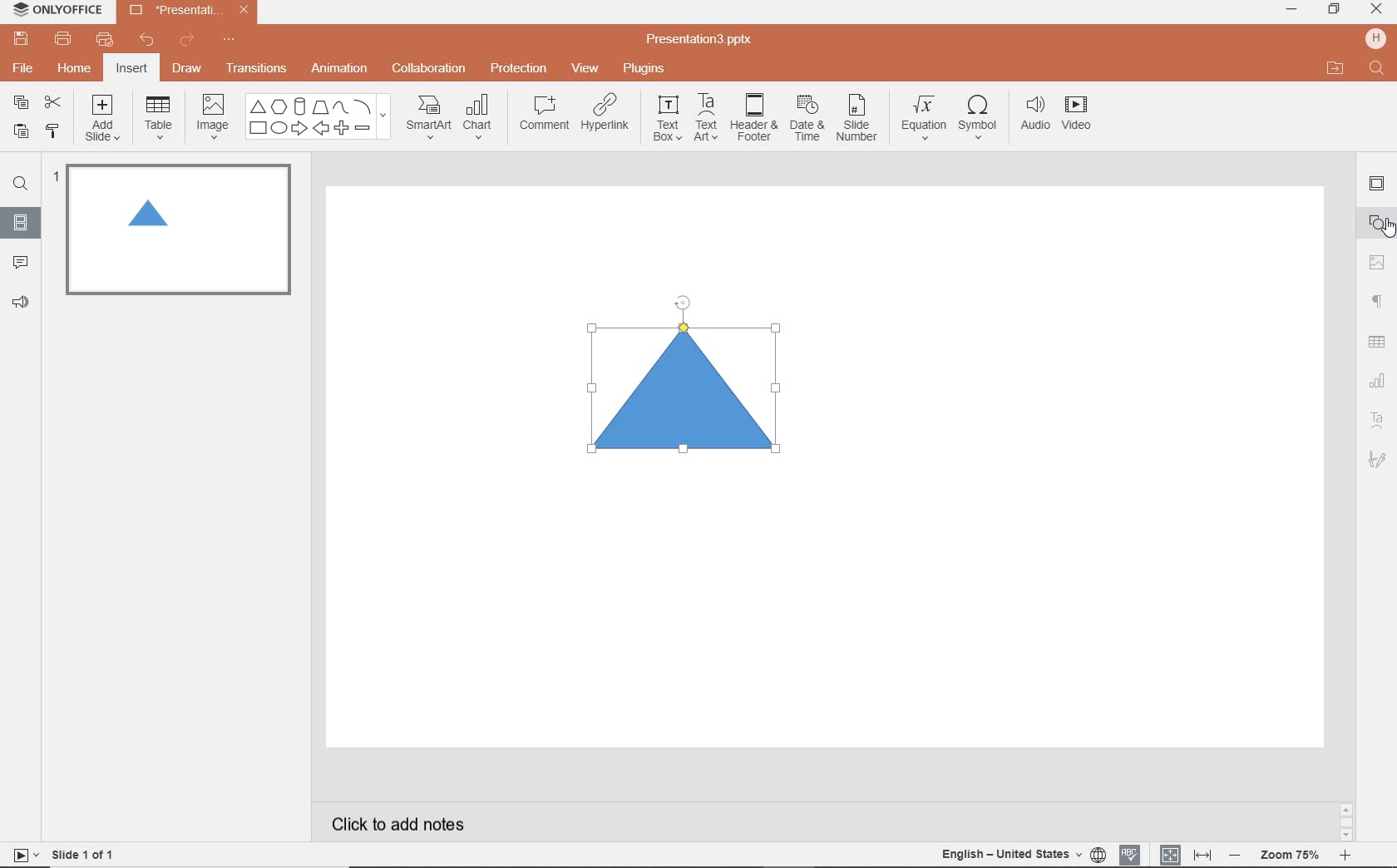 The width and height of the screenshot is (1397, 868). What do you see at coordinates (105, 121) in the screenshot?
I see `ADD SLIDE` at bounding box center [105, 121].